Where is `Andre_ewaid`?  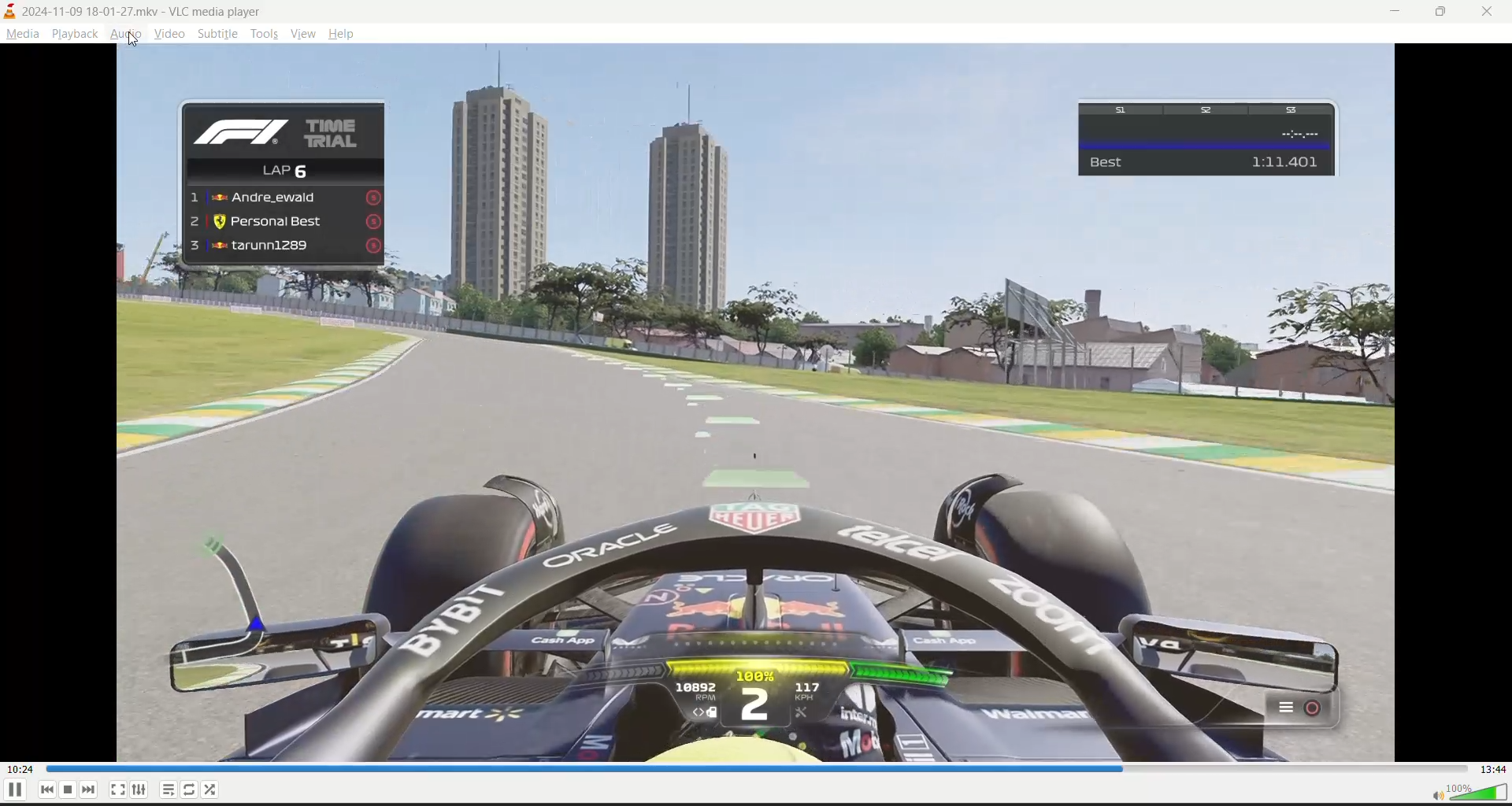 Andre_ewaid is located at coordinates (284, 198).